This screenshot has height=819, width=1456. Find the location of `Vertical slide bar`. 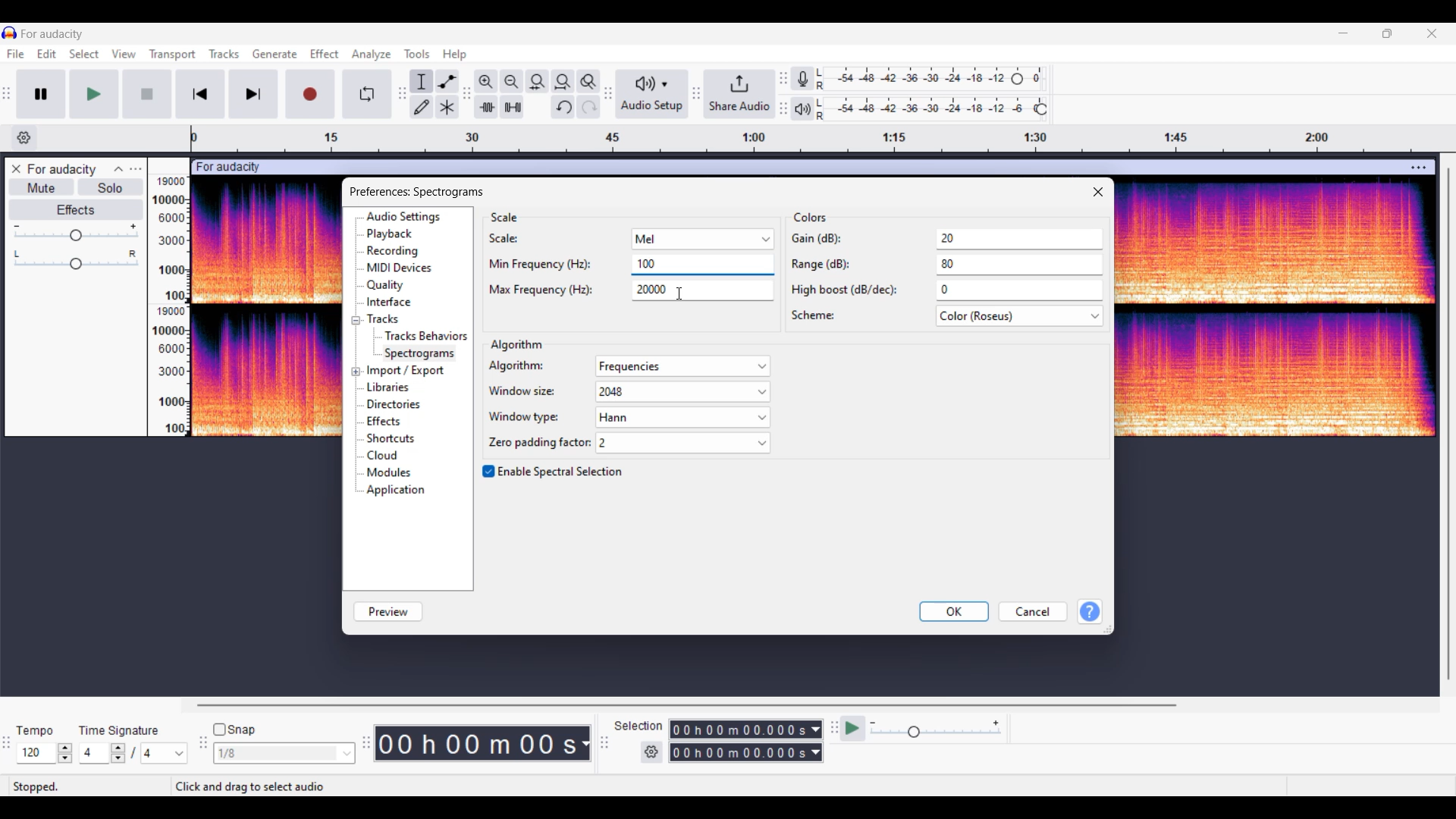

Vertical slide bar is located at coordinates (1449, 423).